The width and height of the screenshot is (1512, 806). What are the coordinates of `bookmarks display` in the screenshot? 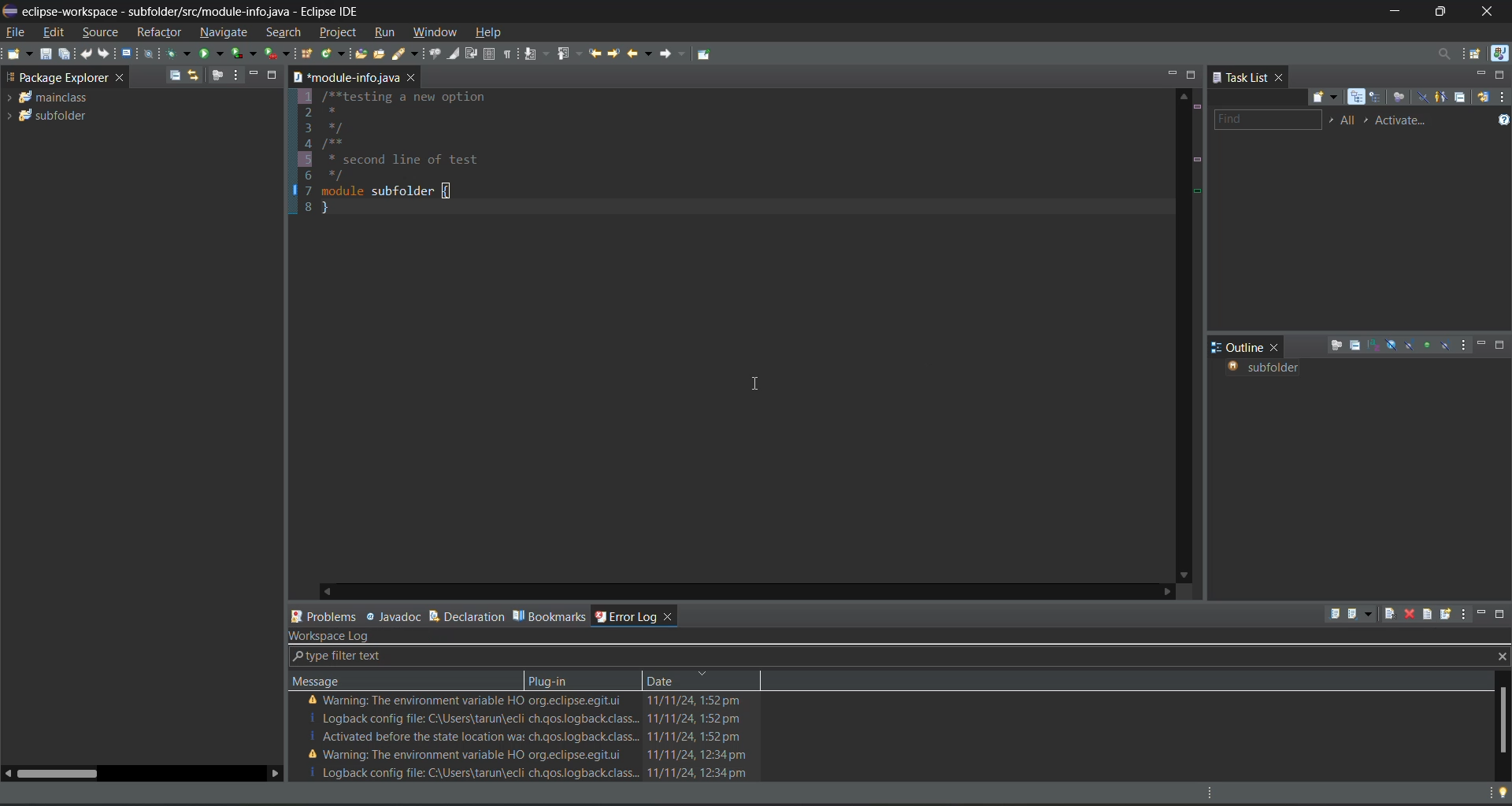 It's located at (278, 150).